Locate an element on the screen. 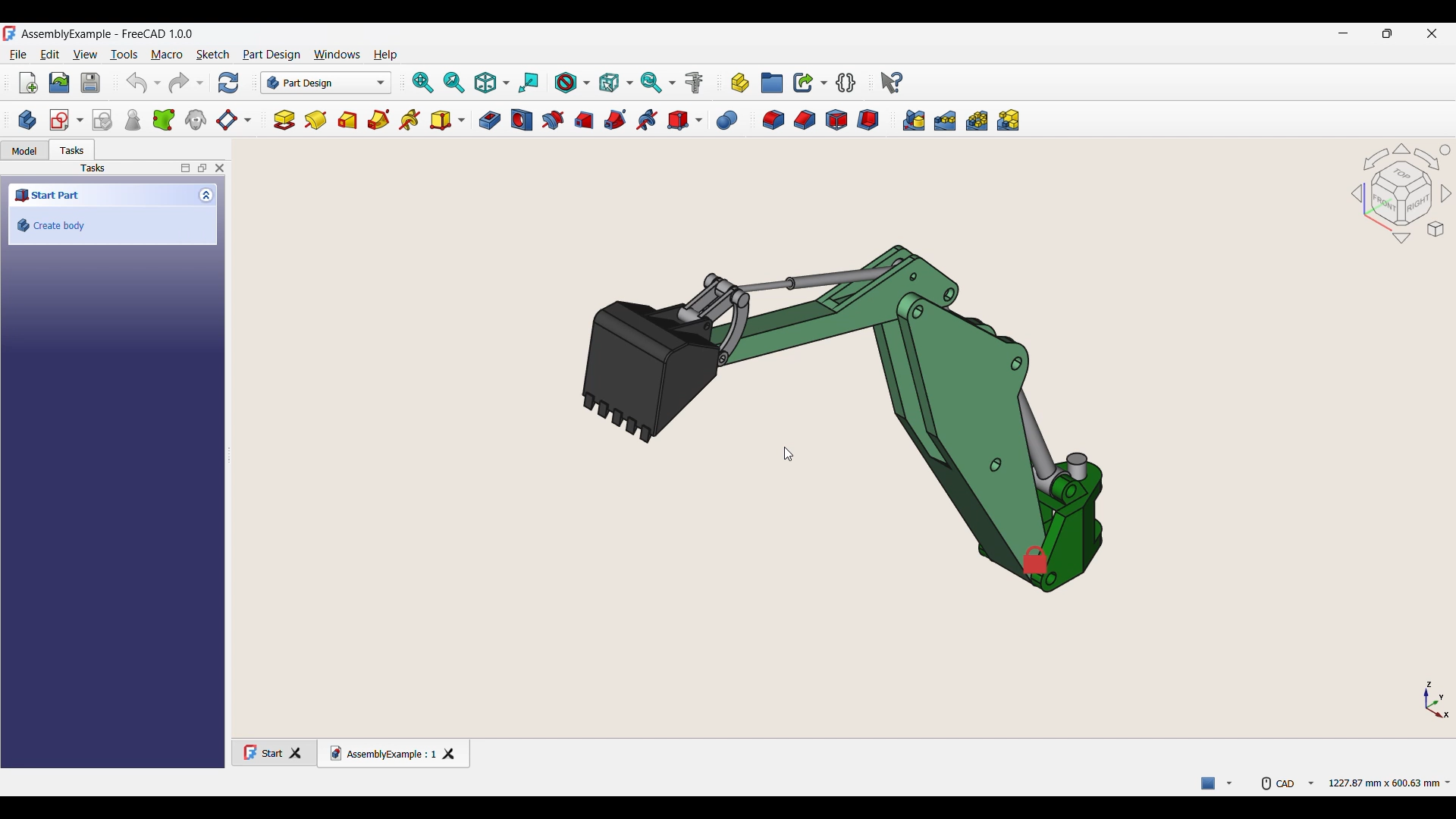  Interface reset to default is located at coordinates (791, 174).